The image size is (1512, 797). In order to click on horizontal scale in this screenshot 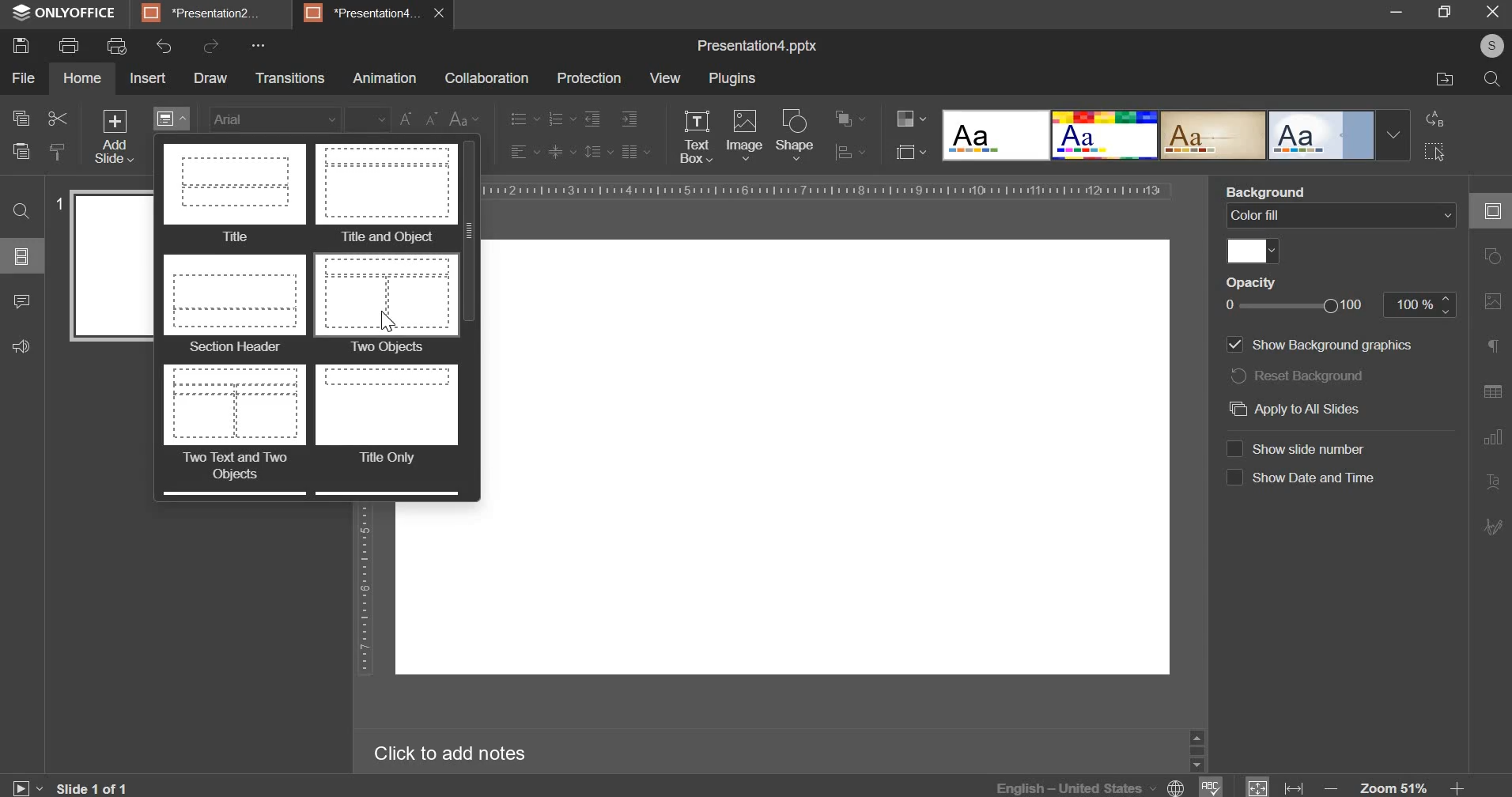, I will do `click(827, 190)`.